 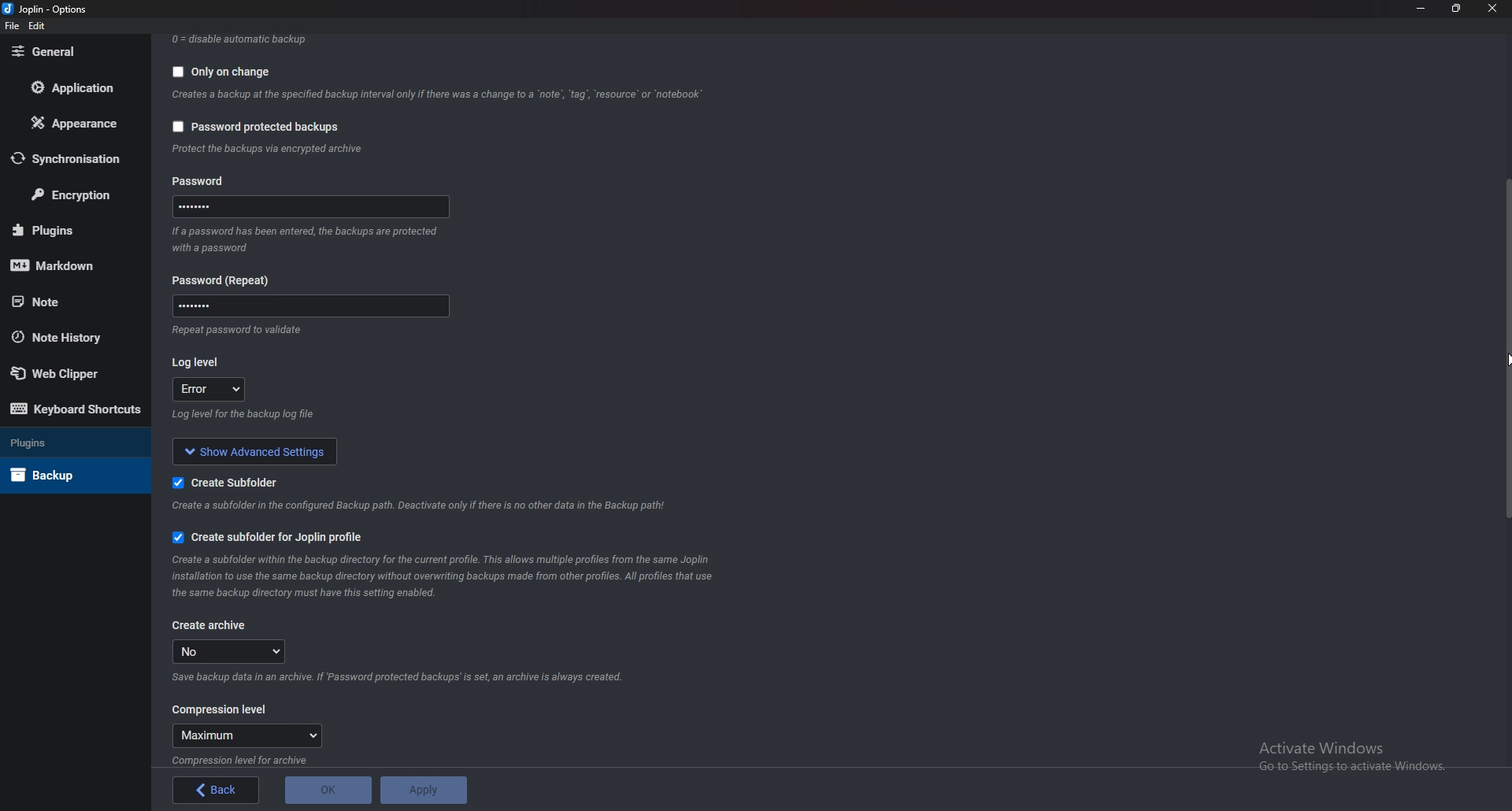 I want to click on joplin, so click(x=46, y=9).